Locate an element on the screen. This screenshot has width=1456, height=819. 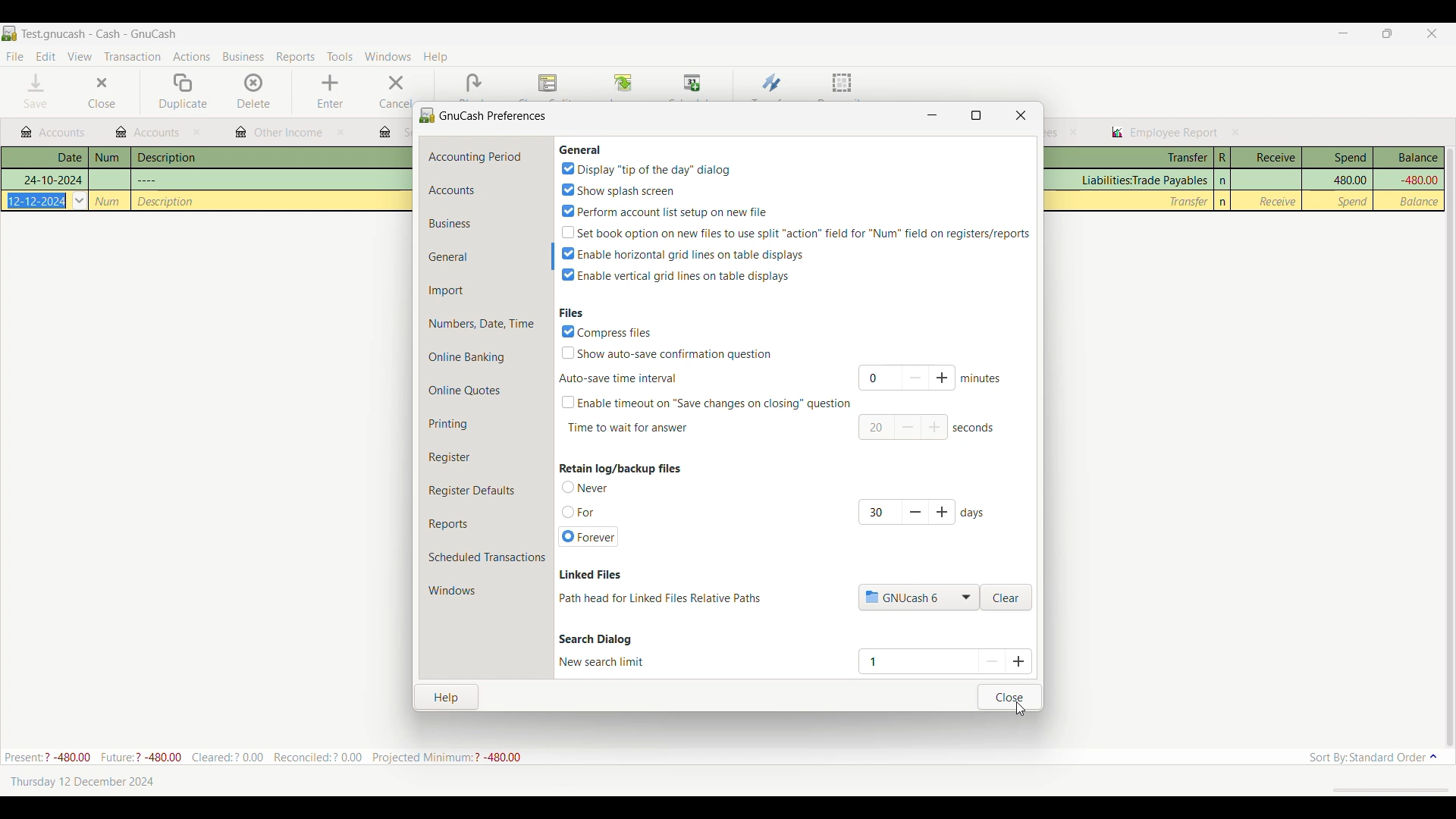
Other budgets and reports is located at coordinates (52, 133).